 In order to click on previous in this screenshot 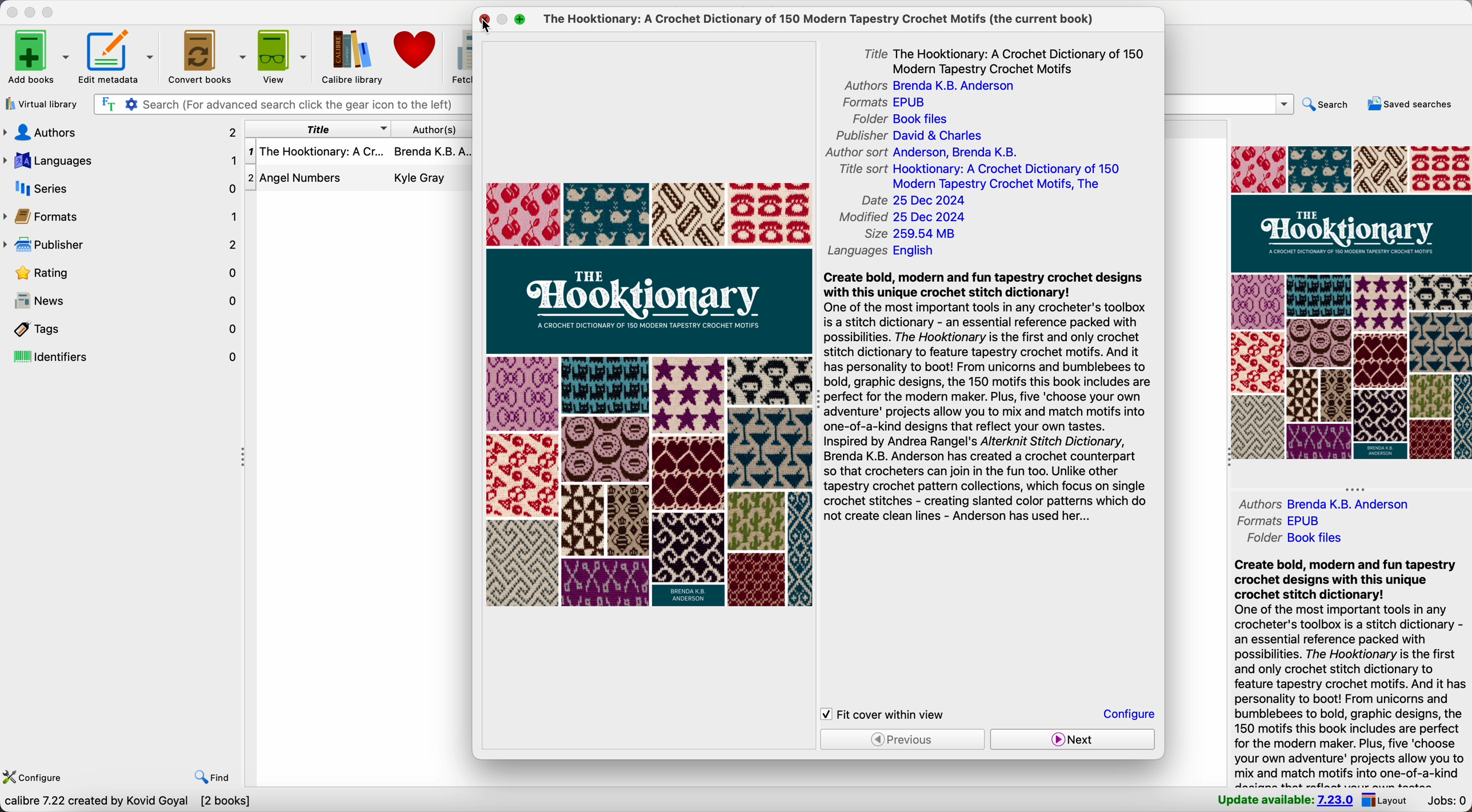, I will do `click(903, 739)`.